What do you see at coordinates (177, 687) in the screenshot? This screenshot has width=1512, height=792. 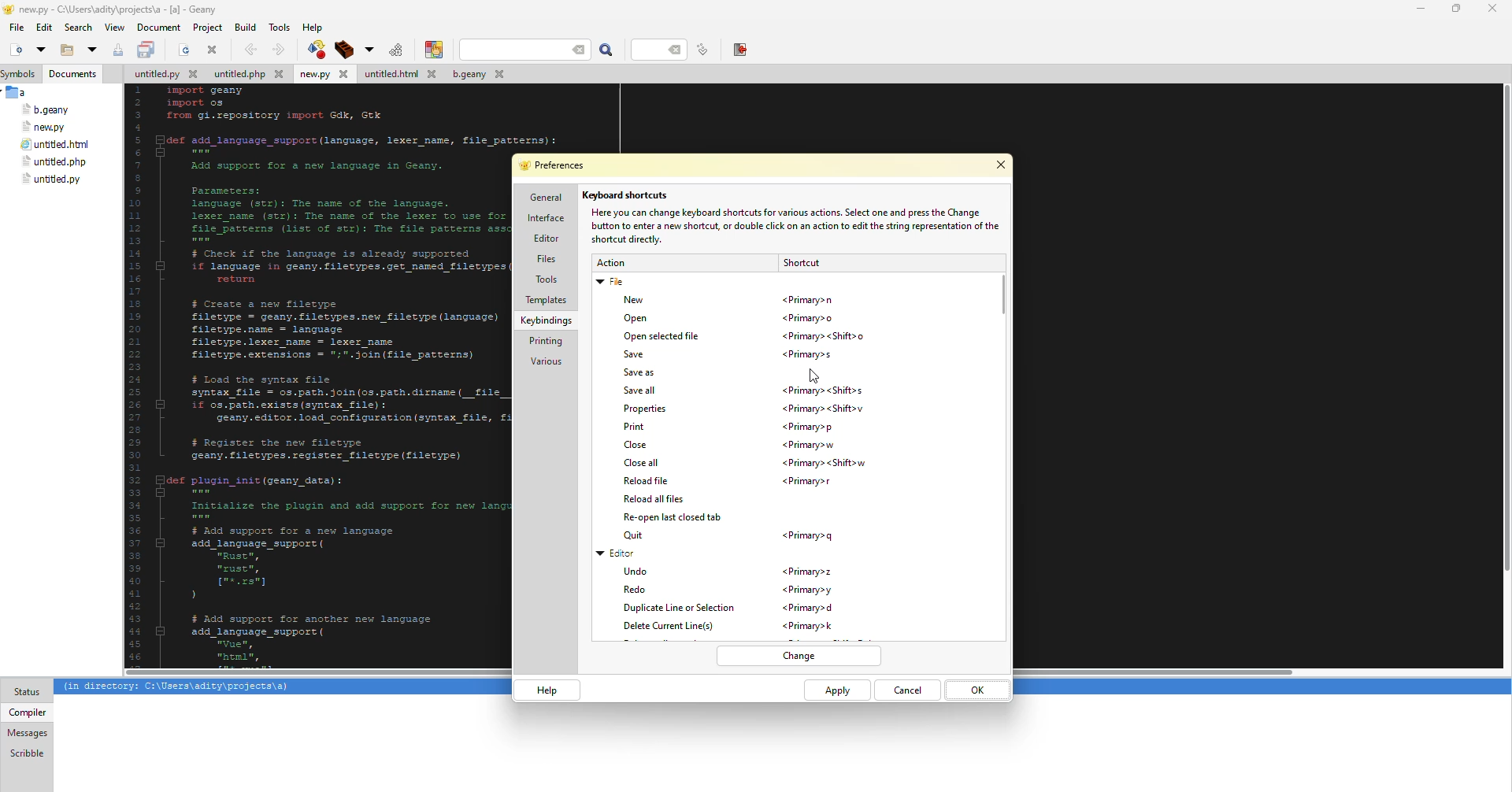 I see `info` at bounding box center [177, 687].